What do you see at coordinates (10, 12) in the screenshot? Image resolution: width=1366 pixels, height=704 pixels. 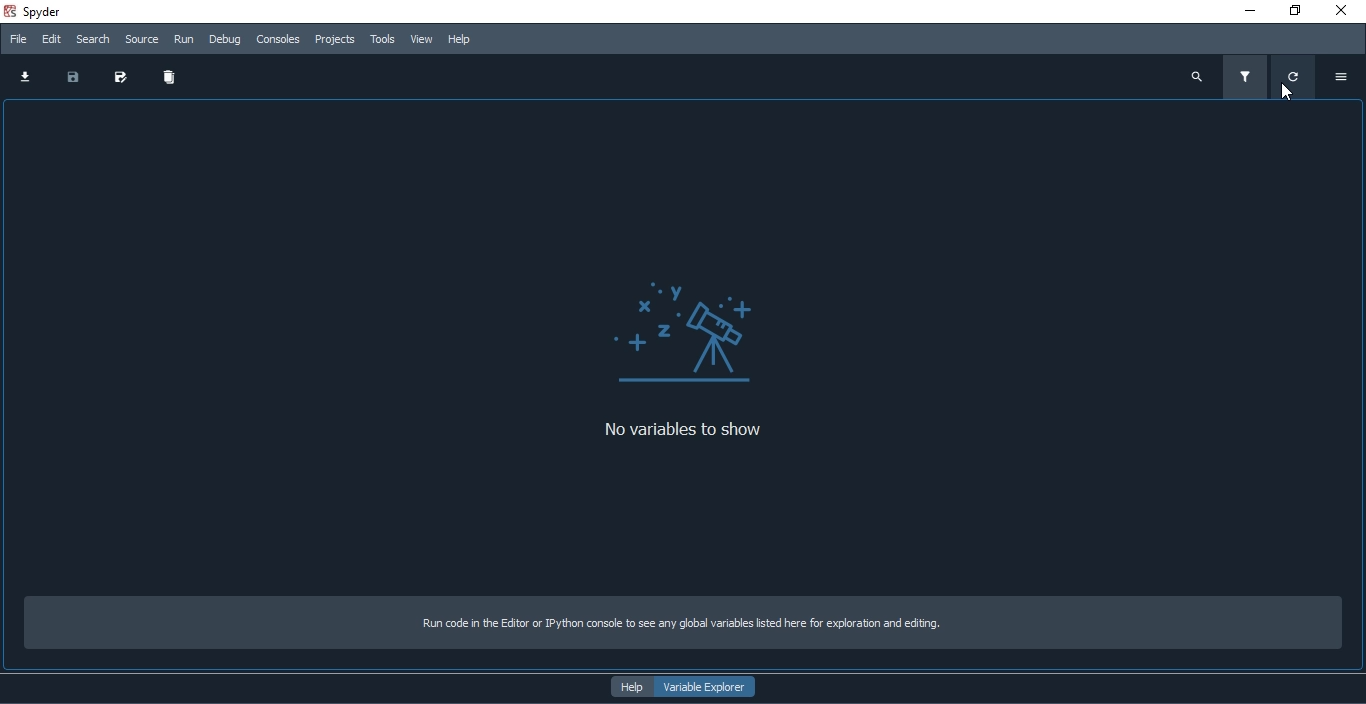 I see `spyder logo` at bounding box center [10, 12].